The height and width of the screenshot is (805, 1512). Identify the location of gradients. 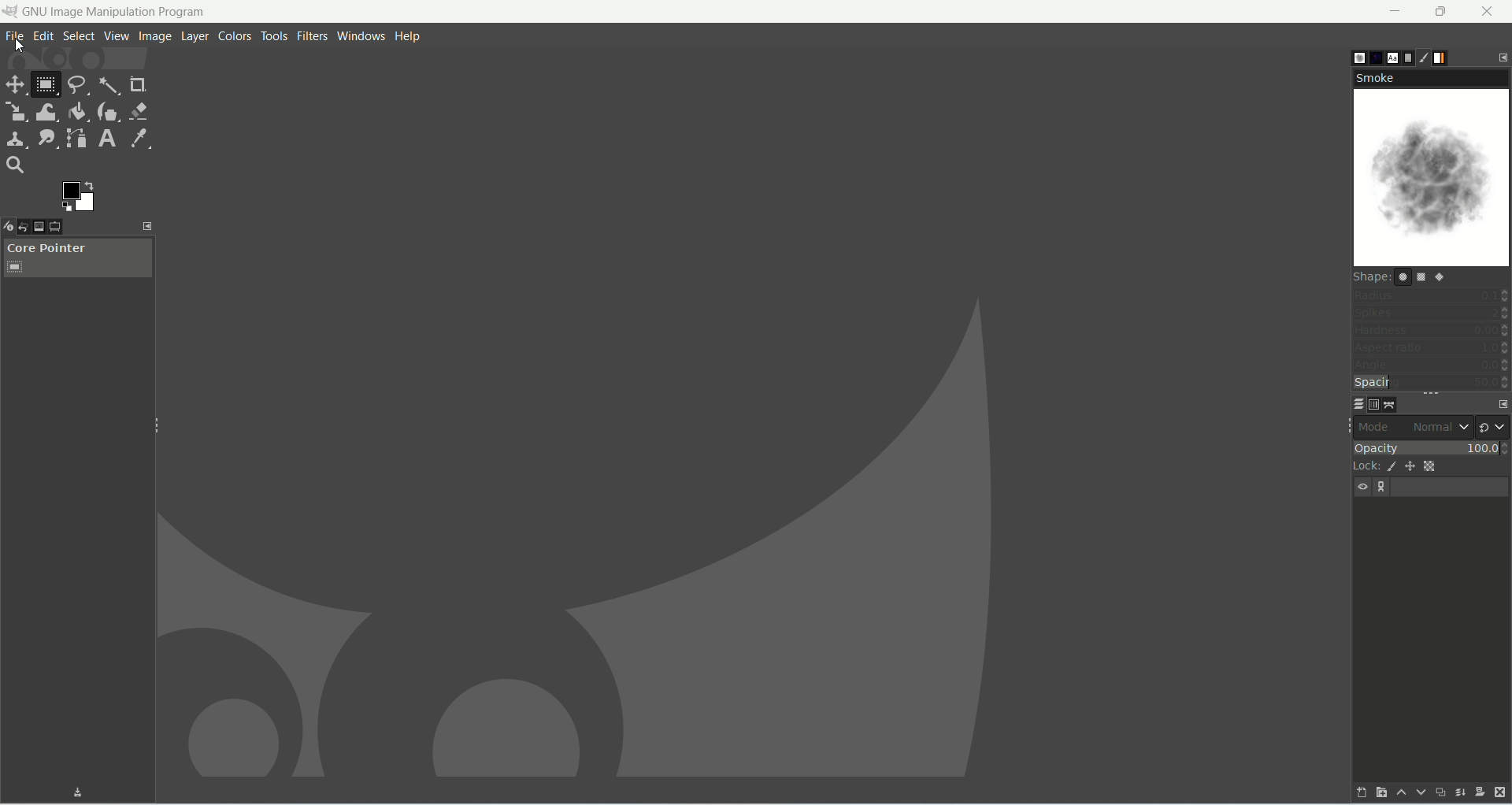
(1442, 58).